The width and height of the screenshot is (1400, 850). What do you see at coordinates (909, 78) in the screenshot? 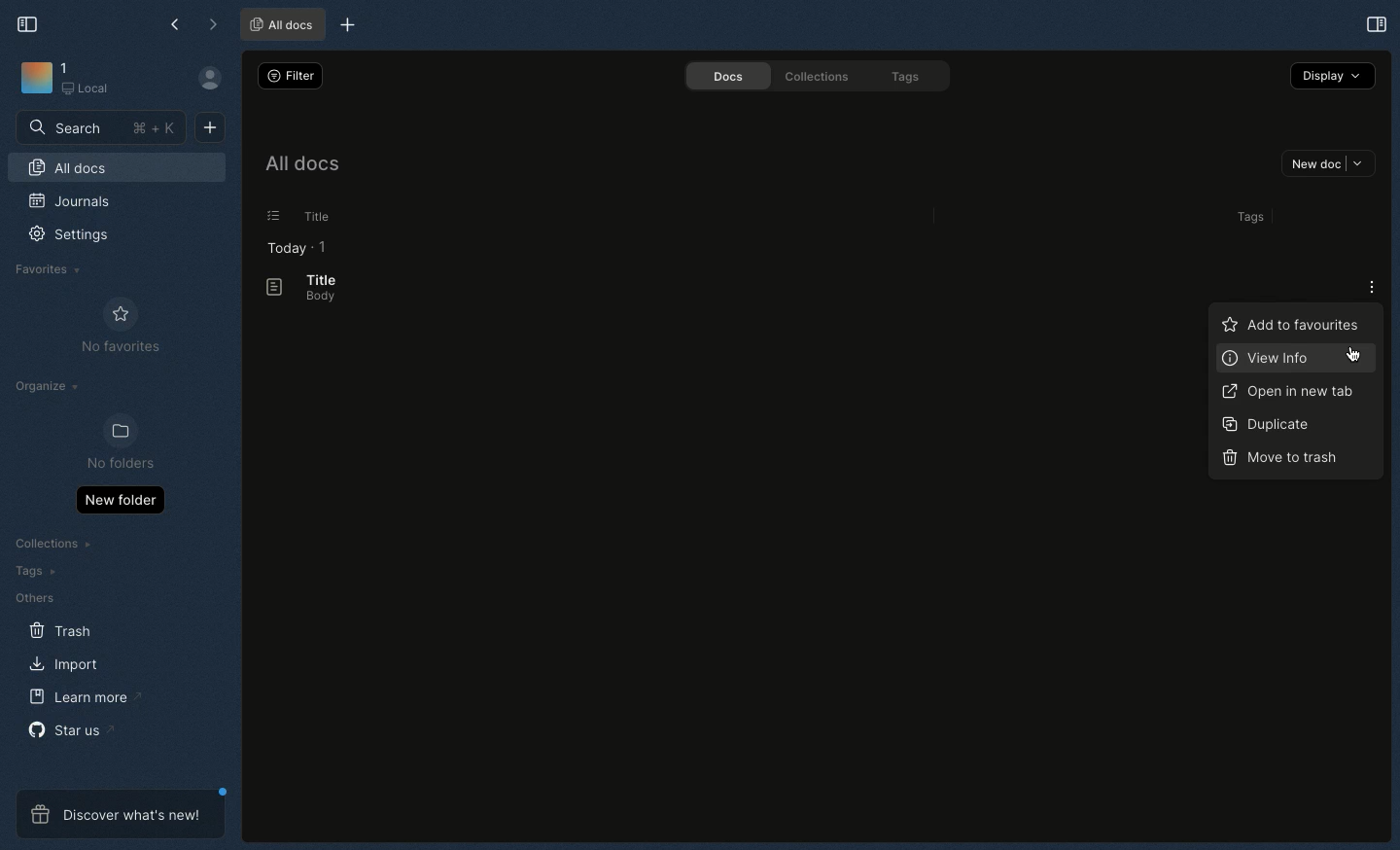
I see `Tags` at bounding box center [909, 78].